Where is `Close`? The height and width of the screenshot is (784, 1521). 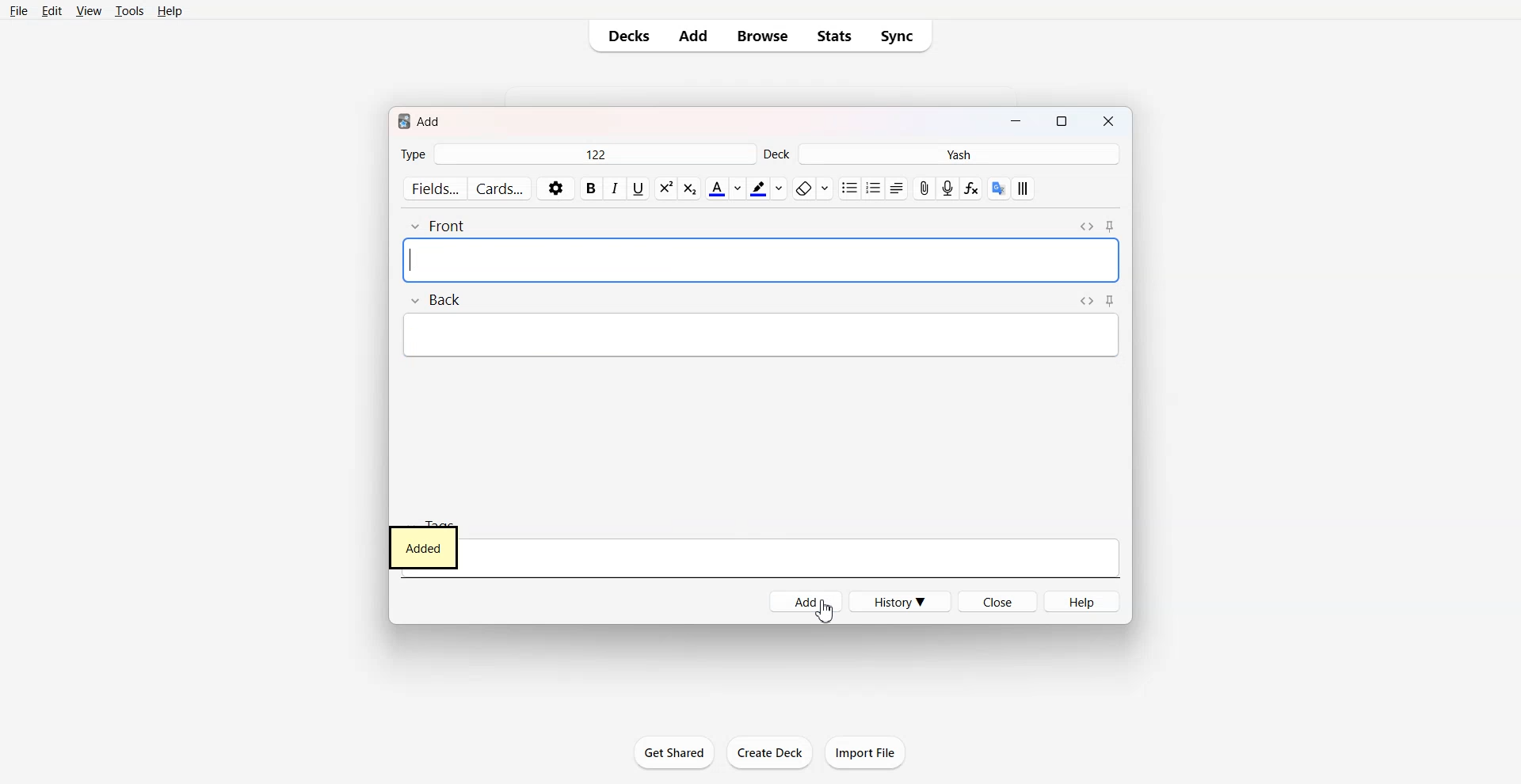 Close is located at coordinates (1111, 123).